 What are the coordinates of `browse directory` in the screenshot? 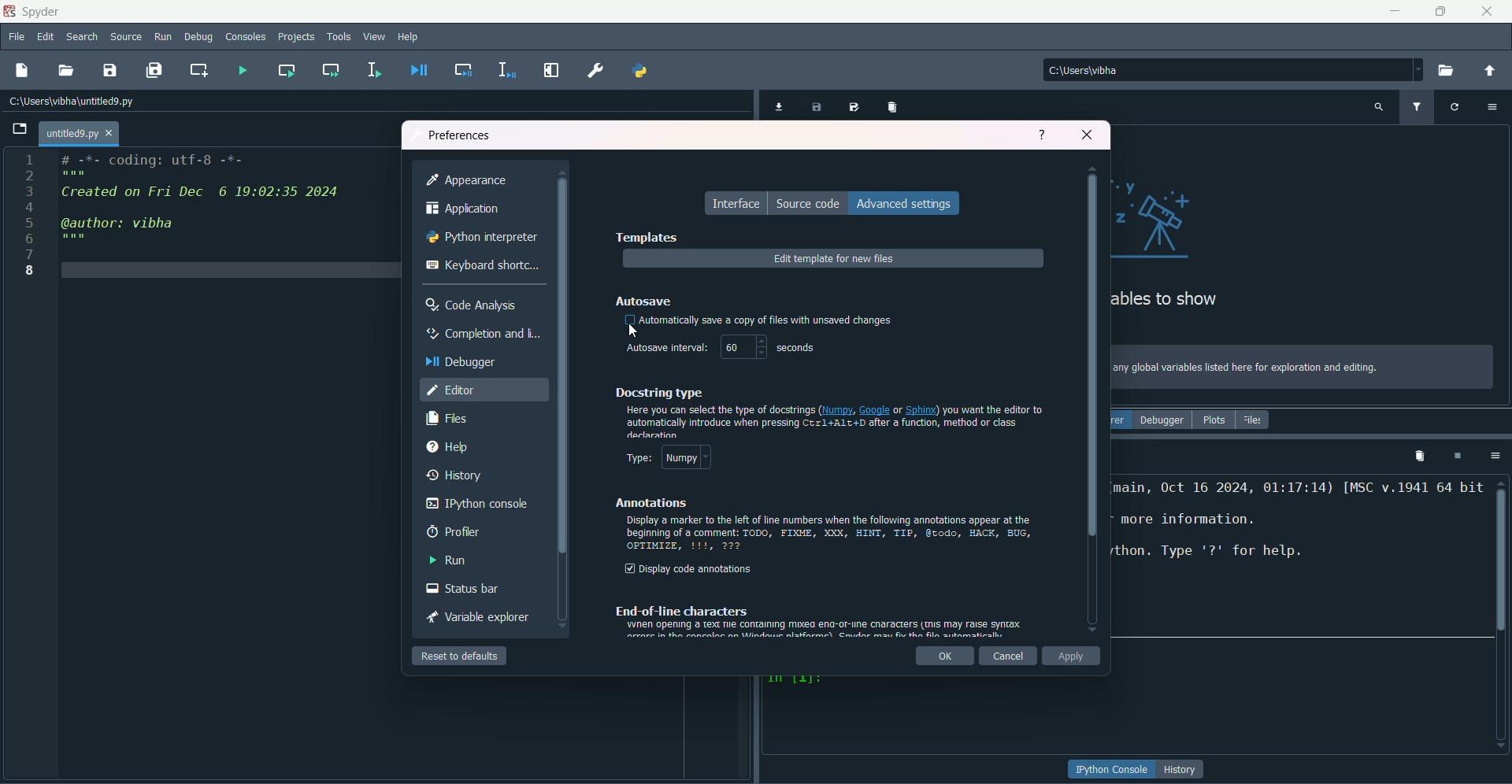 It's located at (1447, 71).